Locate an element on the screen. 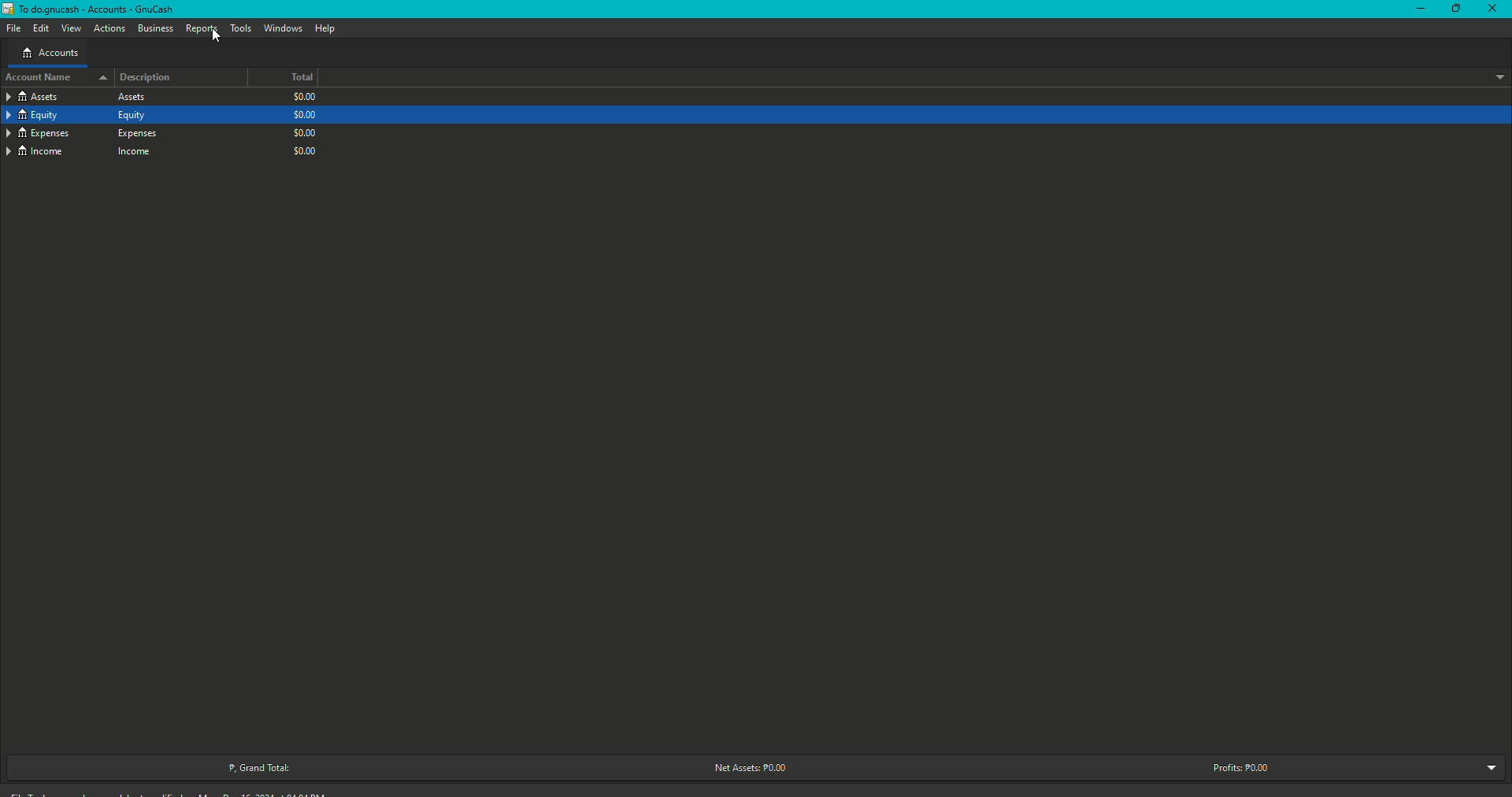 The image size is (1512, 797). Drop down is located at coordinates (1497, 76).